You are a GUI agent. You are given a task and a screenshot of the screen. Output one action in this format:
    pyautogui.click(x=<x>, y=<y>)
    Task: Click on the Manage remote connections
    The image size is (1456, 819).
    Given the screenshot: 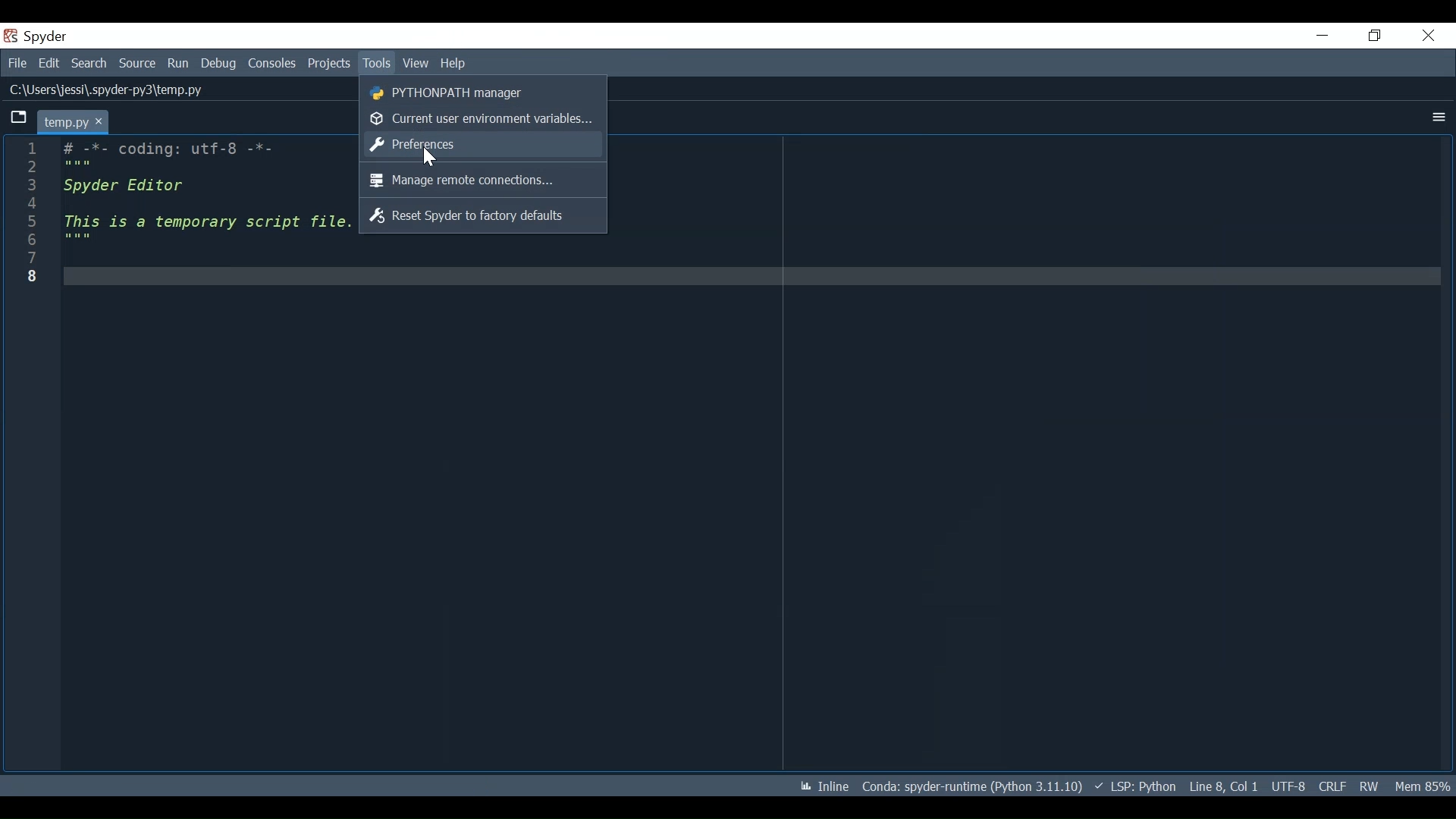 What is the action you would take?
    pyautogui.click(x=484, y=180)
    